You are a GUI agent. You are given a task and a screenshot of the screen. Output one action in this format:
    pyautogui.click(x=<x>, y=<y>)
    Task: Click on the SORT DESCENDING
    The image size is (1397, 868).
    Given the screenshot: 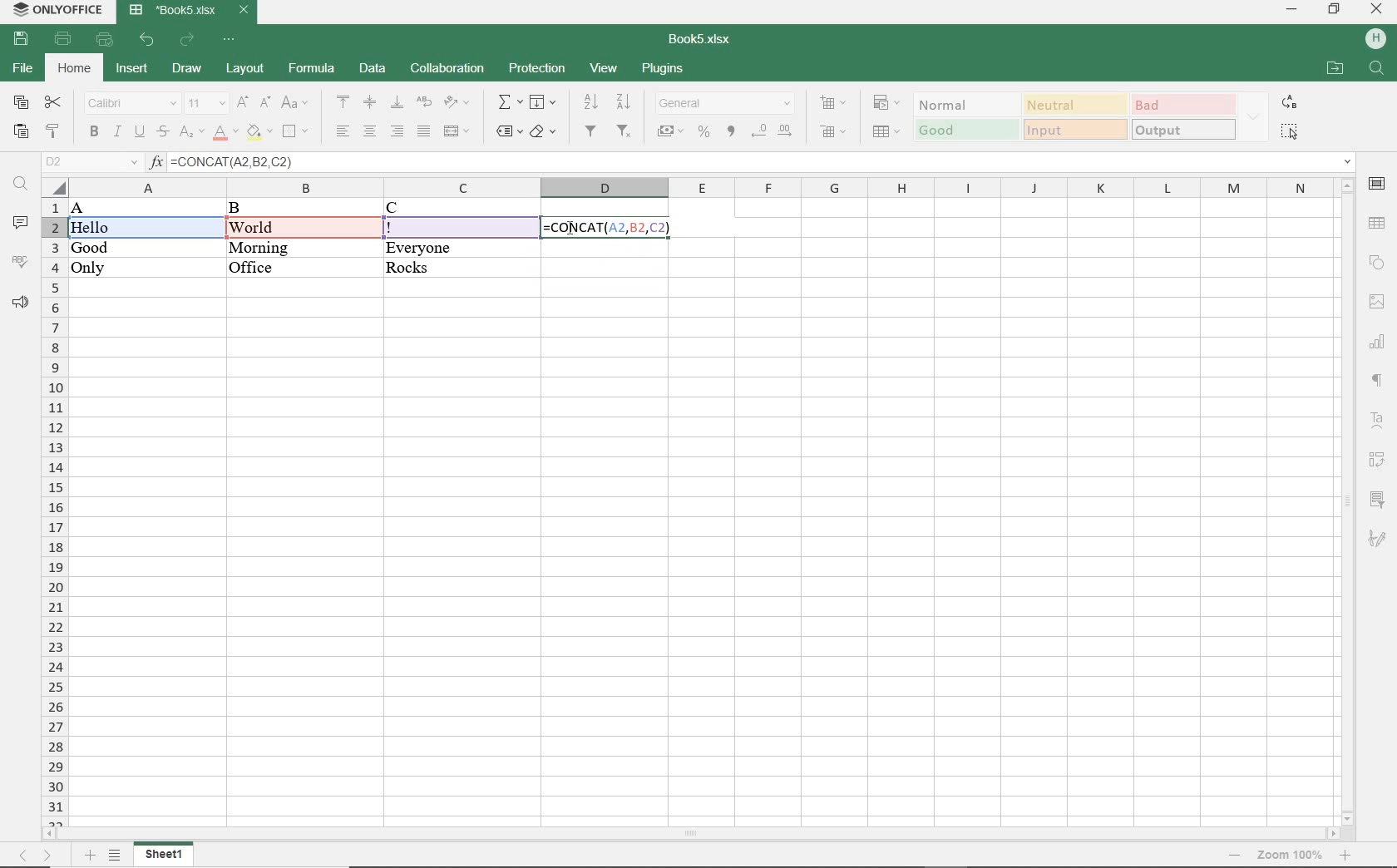 What is the action you would take?
    pyautogui.click(x=624, y=101)
    